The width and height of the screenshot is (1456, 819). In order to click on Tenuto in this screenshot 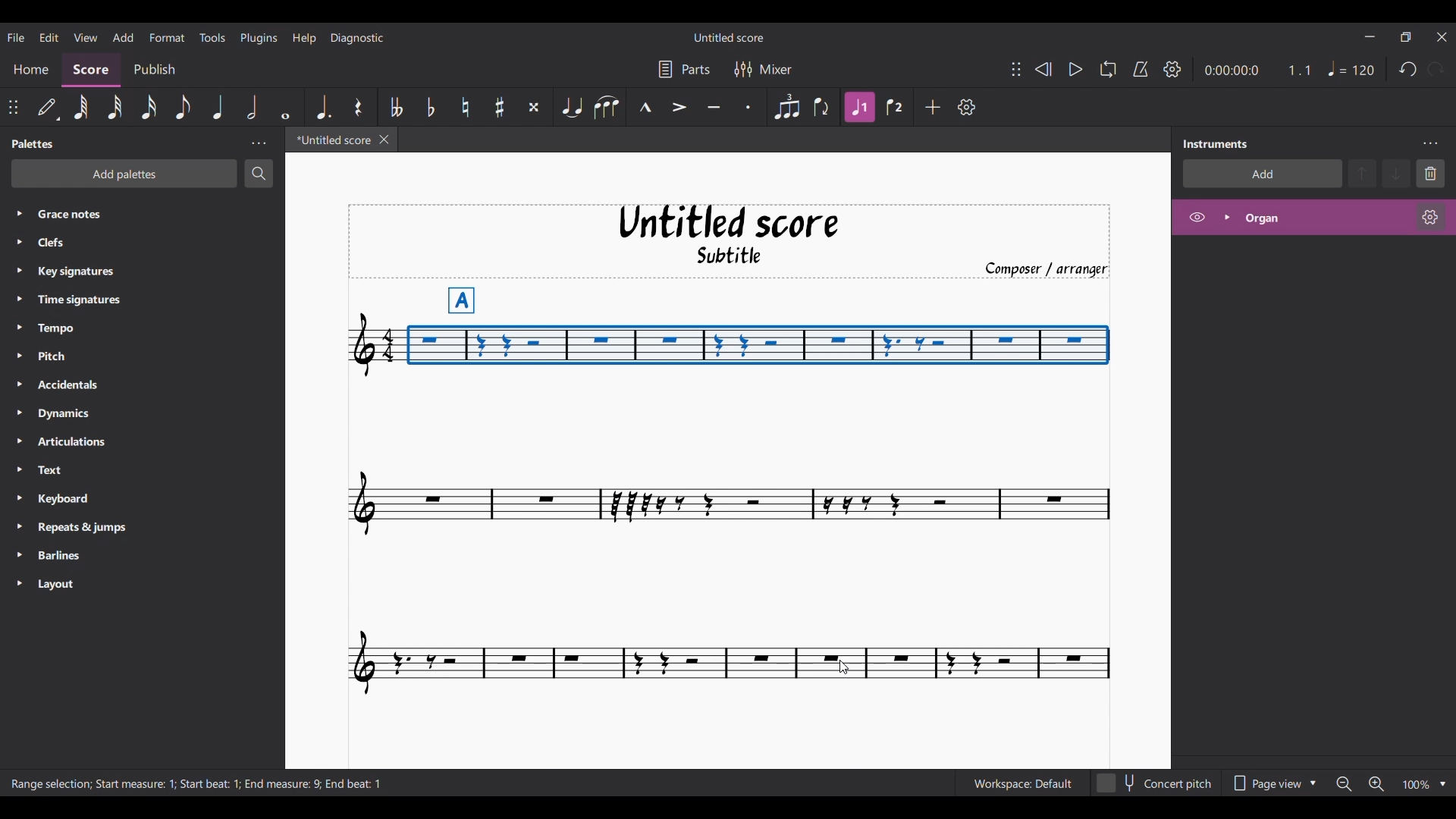, I will do `click(714, 106)`.